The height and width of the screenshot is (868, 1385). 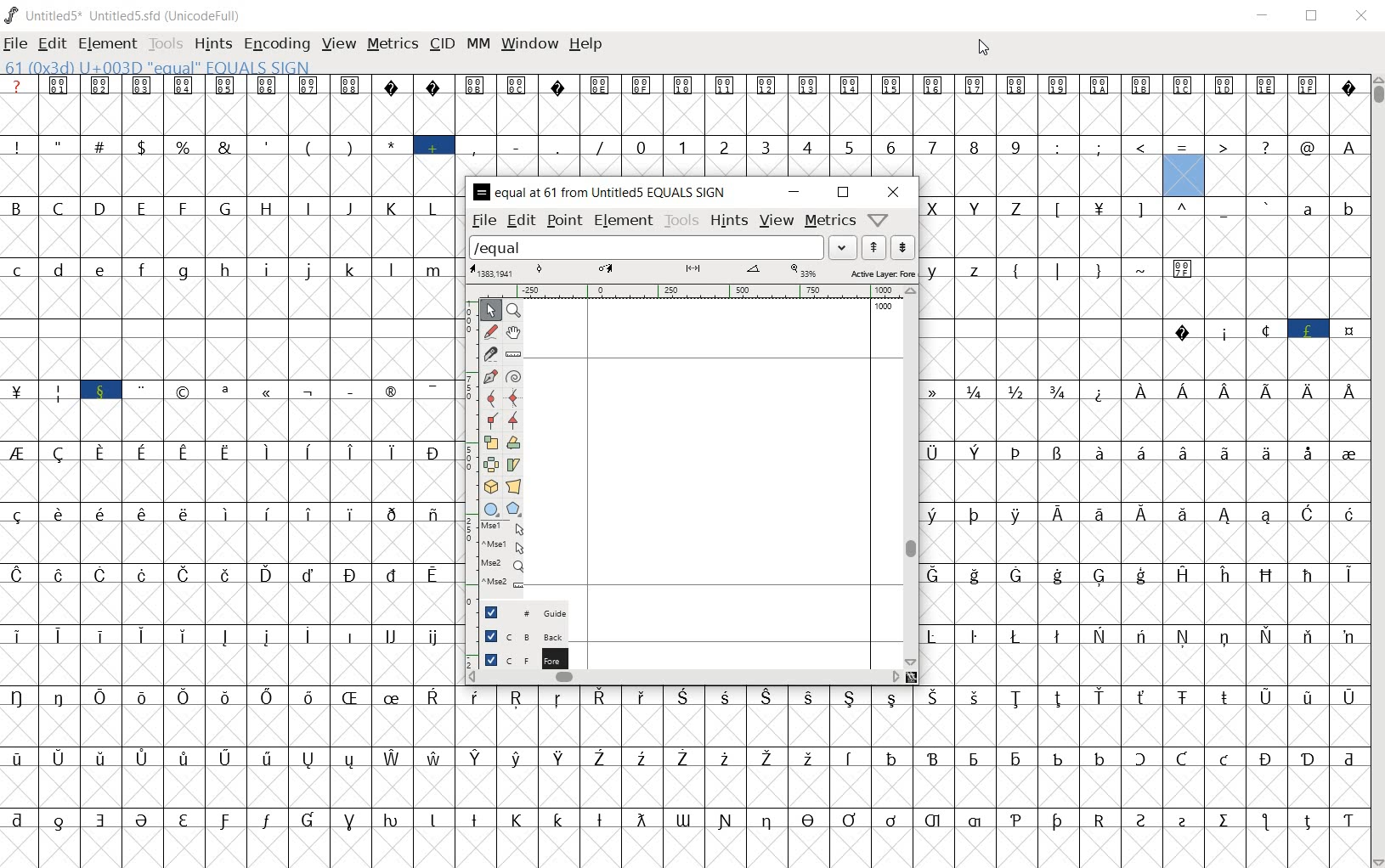 I want to click on FOREGROUND, so click(x=516, y=657).